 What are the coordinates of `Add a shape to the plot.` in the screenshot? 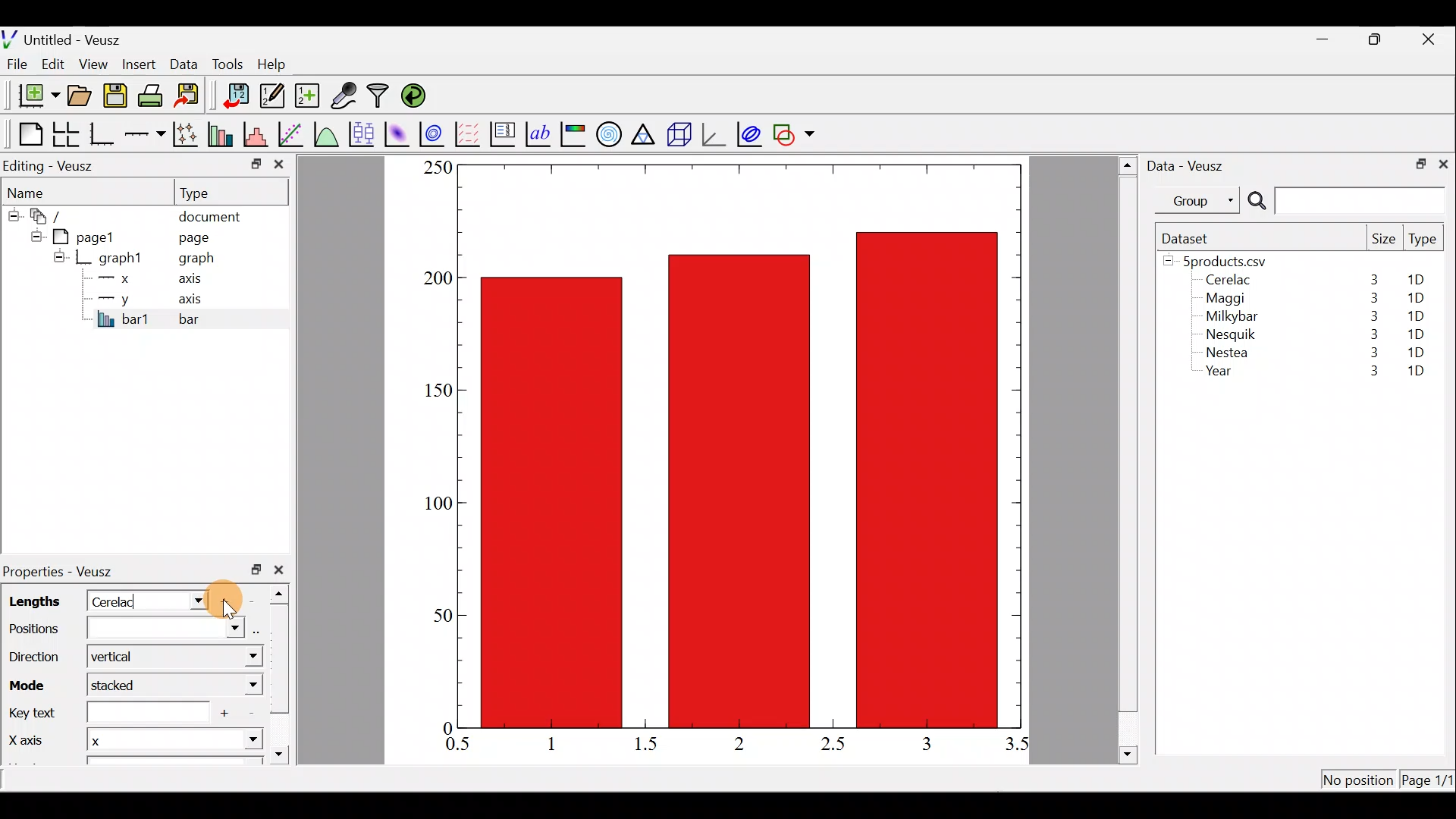 It's located at (795, 132).